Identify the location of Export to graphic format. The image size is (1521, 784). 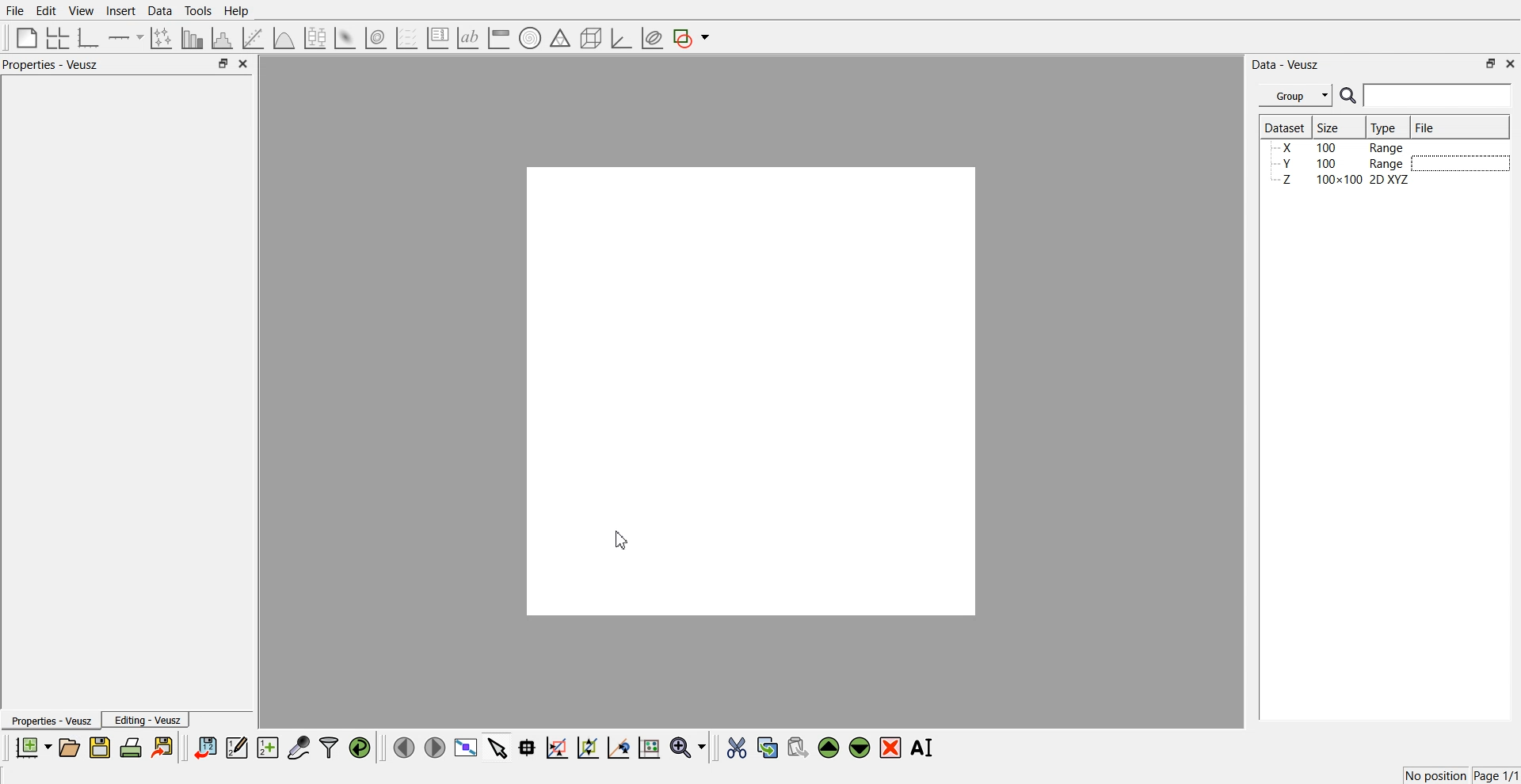
(164, 747).